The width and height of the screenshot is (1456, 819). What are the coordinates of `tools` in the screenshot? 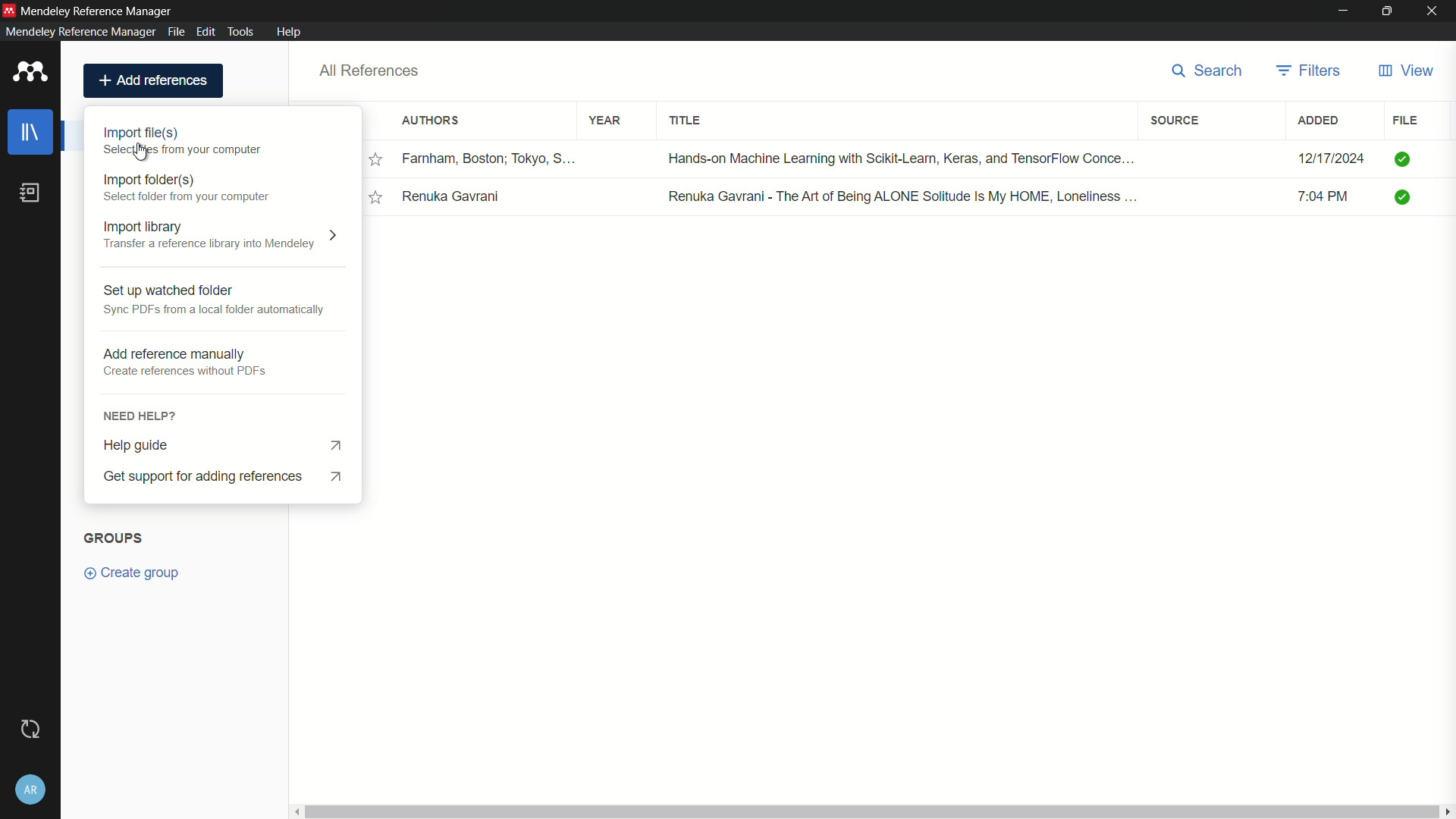 It's located at (240, 31).